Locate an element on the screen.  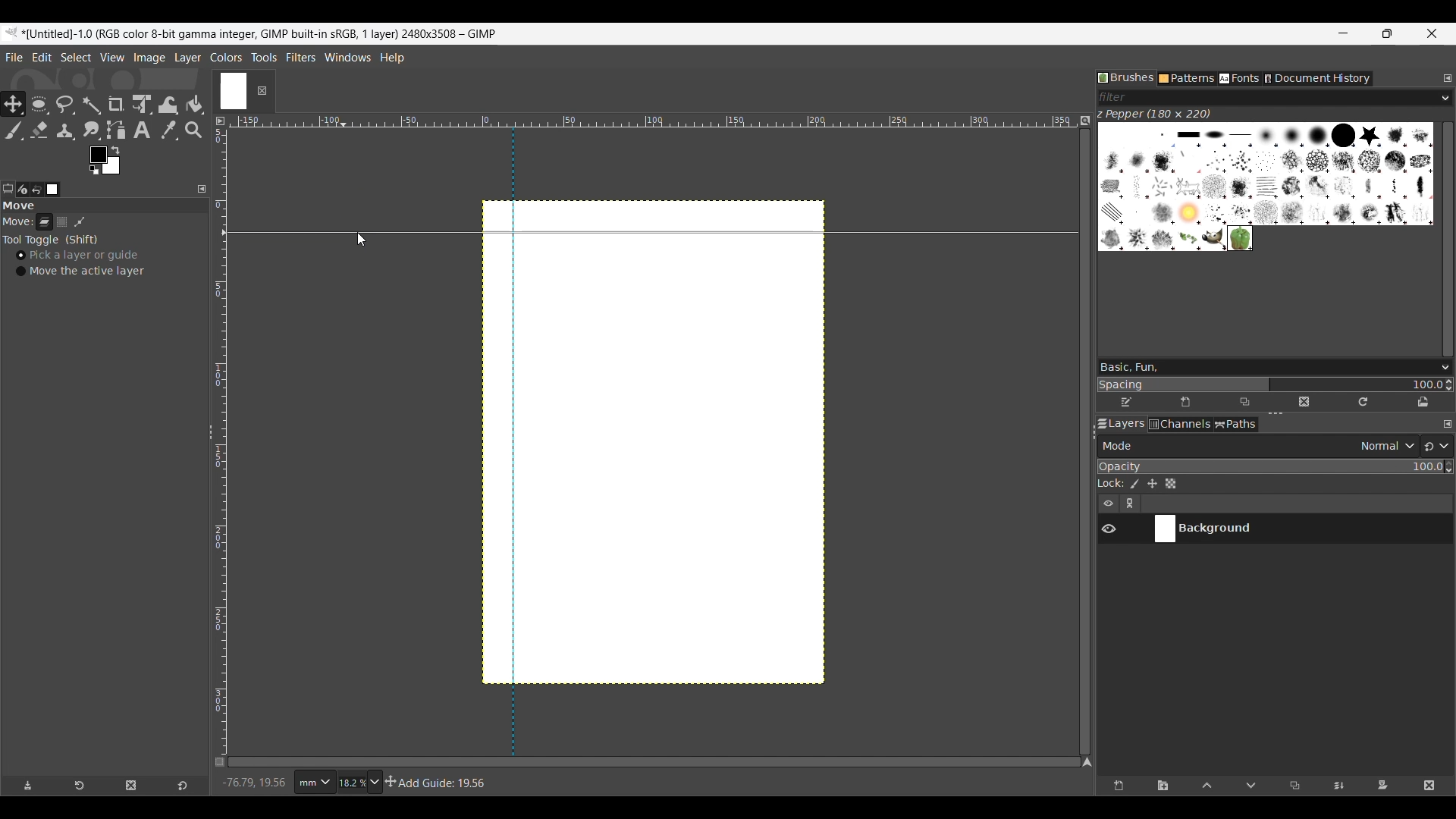
Horizontal guideline dragged on to canvas is located at coordinates (376, 225).